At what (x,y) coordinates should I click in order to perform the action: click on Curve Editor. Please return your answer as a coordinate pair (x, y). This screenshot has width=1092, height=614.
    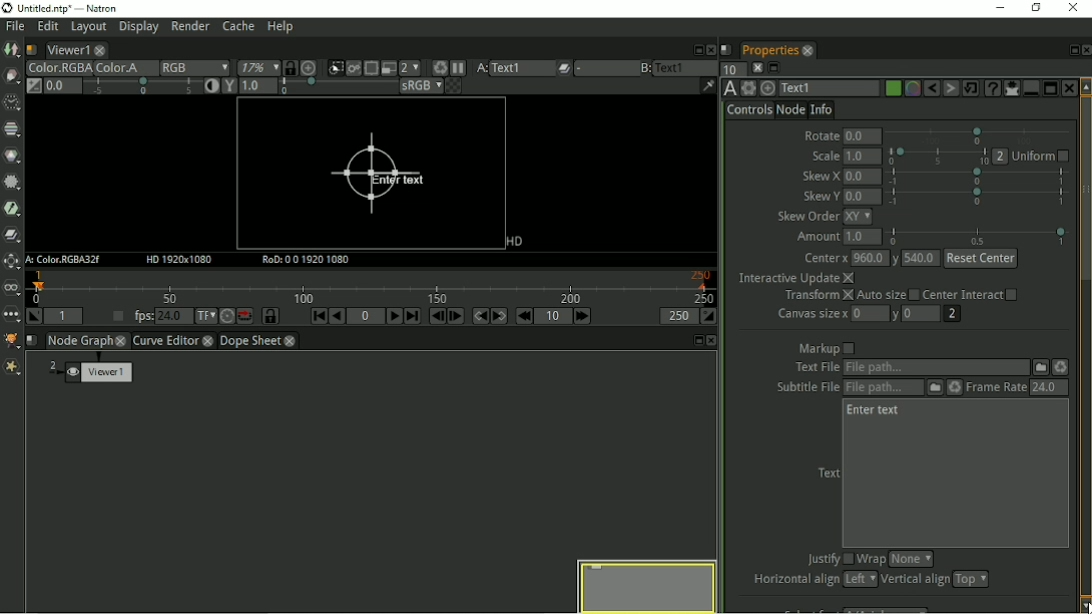
    Looking at the image, I should click on (165, 342).